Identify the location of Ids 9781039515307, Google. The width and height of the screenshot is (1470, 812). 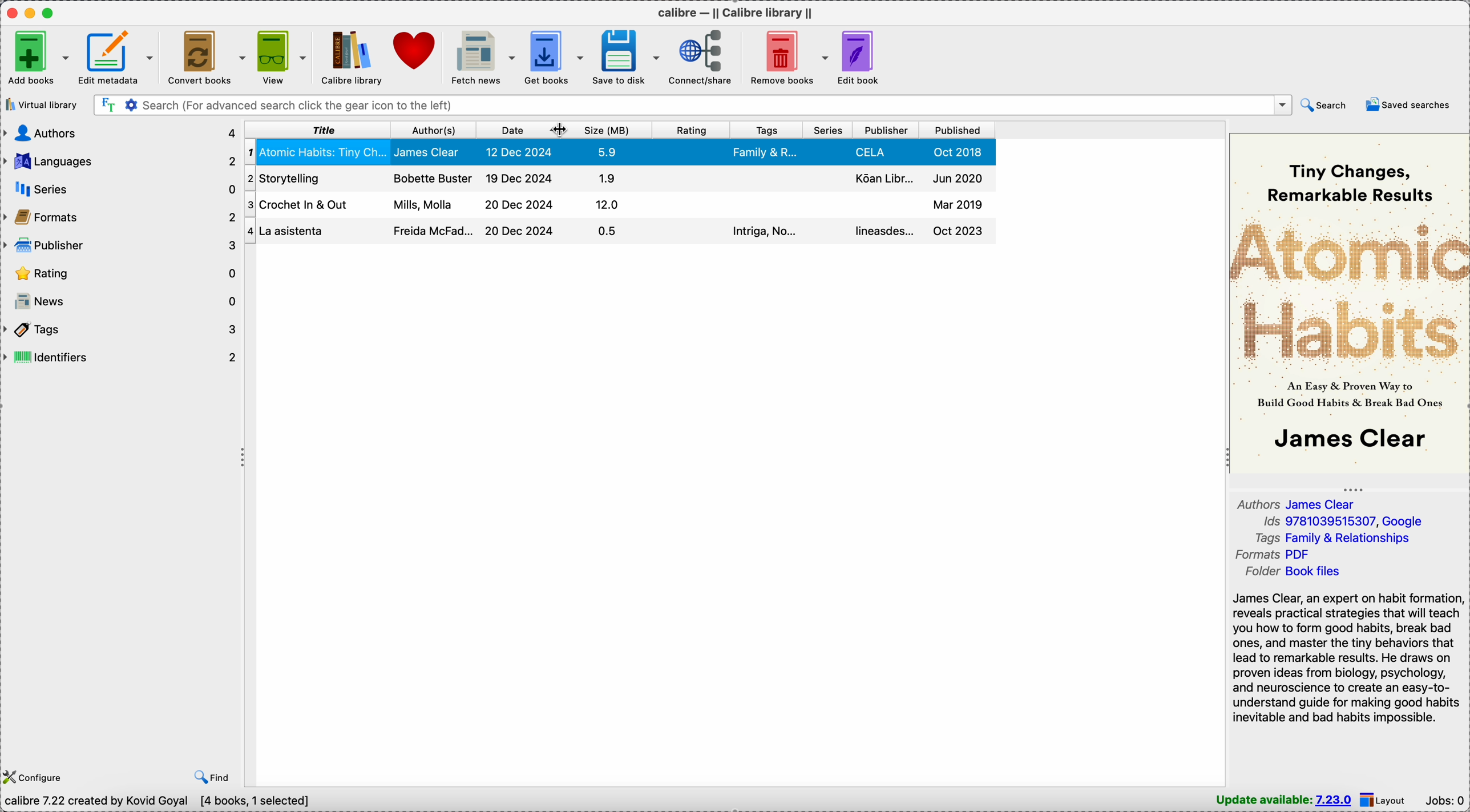
(1342, 521).